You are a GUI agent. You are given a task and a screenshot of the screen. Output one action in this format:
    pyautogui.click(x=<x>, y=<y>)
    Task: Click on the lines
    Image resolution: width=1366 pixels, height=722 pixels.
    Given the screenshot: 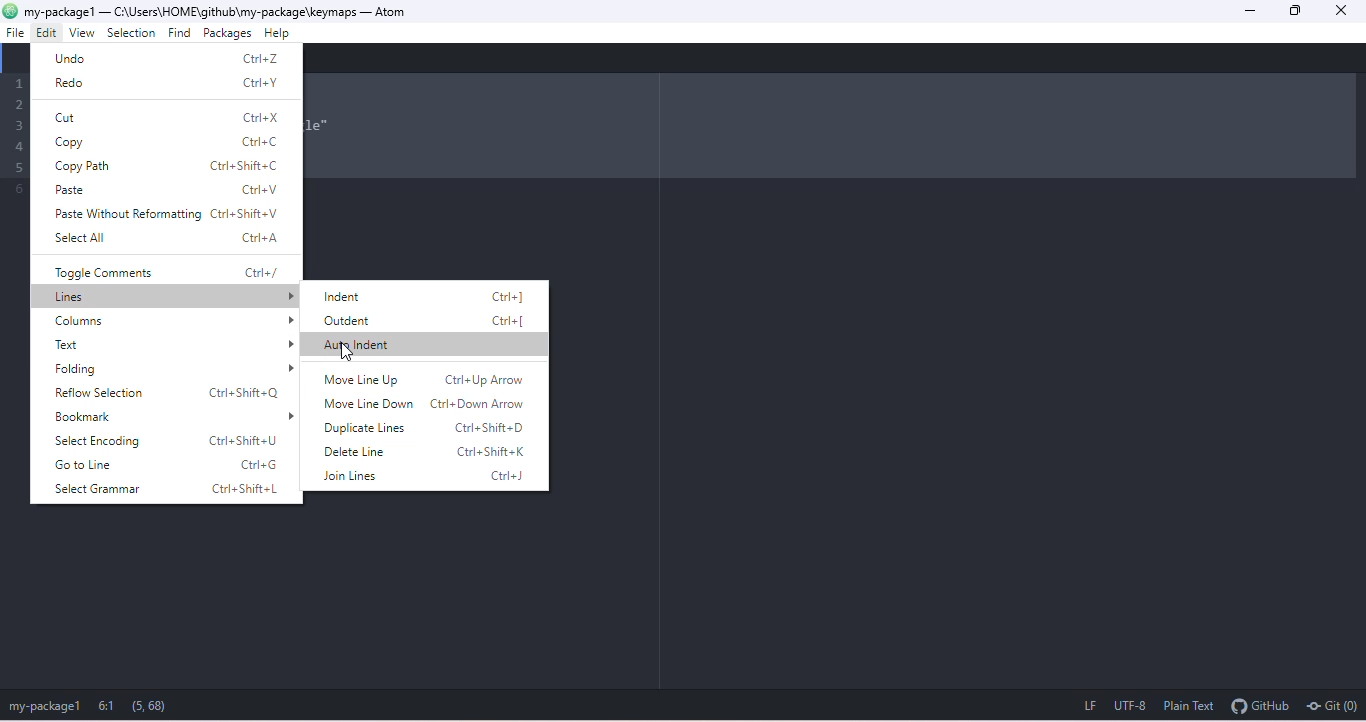 What is the action you would take?
    pyautogui.click(x=173, y=298)
    